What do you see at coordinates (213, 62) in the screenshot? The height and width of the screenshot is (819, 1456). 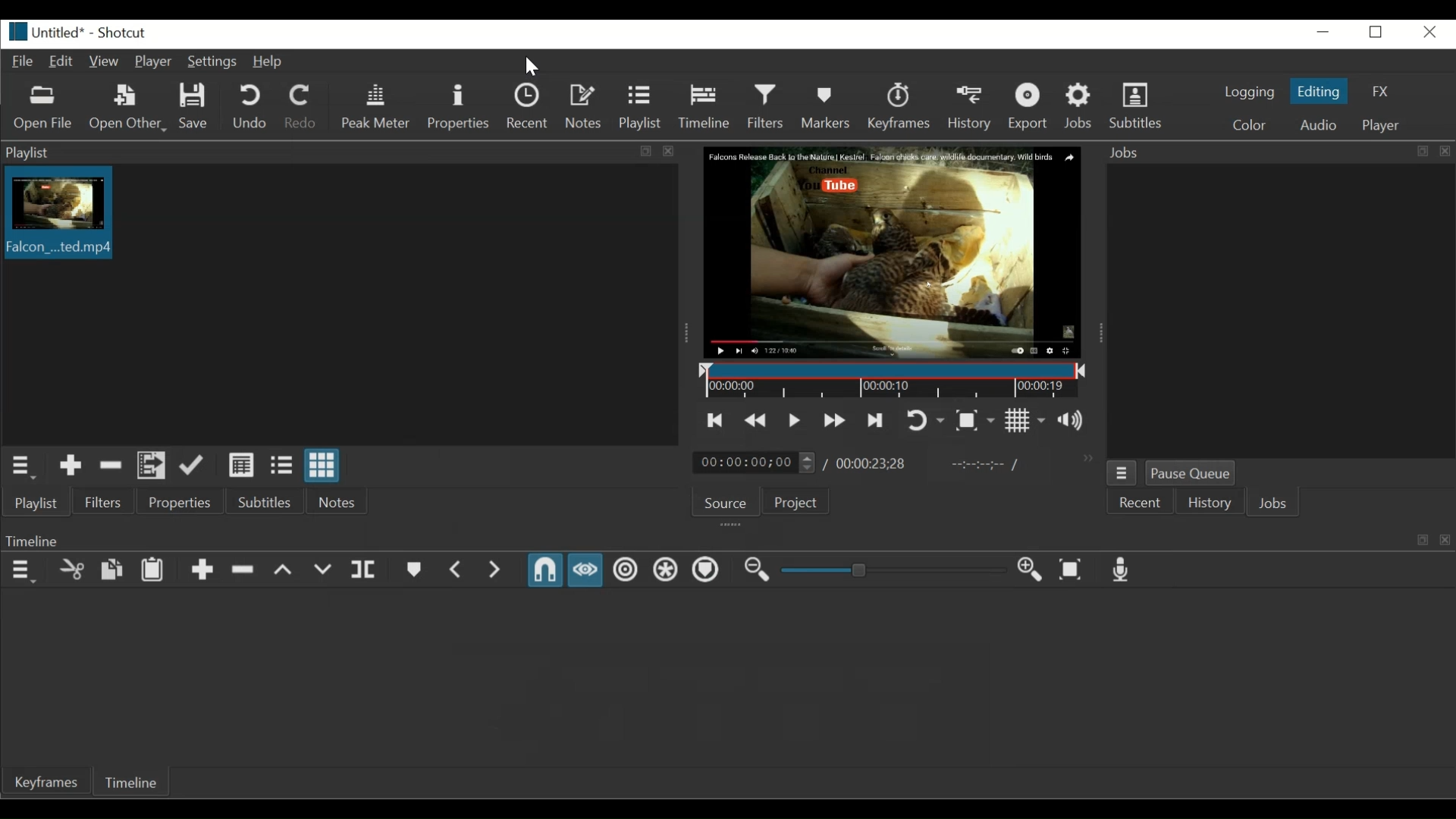 I see `Settings` at bounding box center [213, 62].